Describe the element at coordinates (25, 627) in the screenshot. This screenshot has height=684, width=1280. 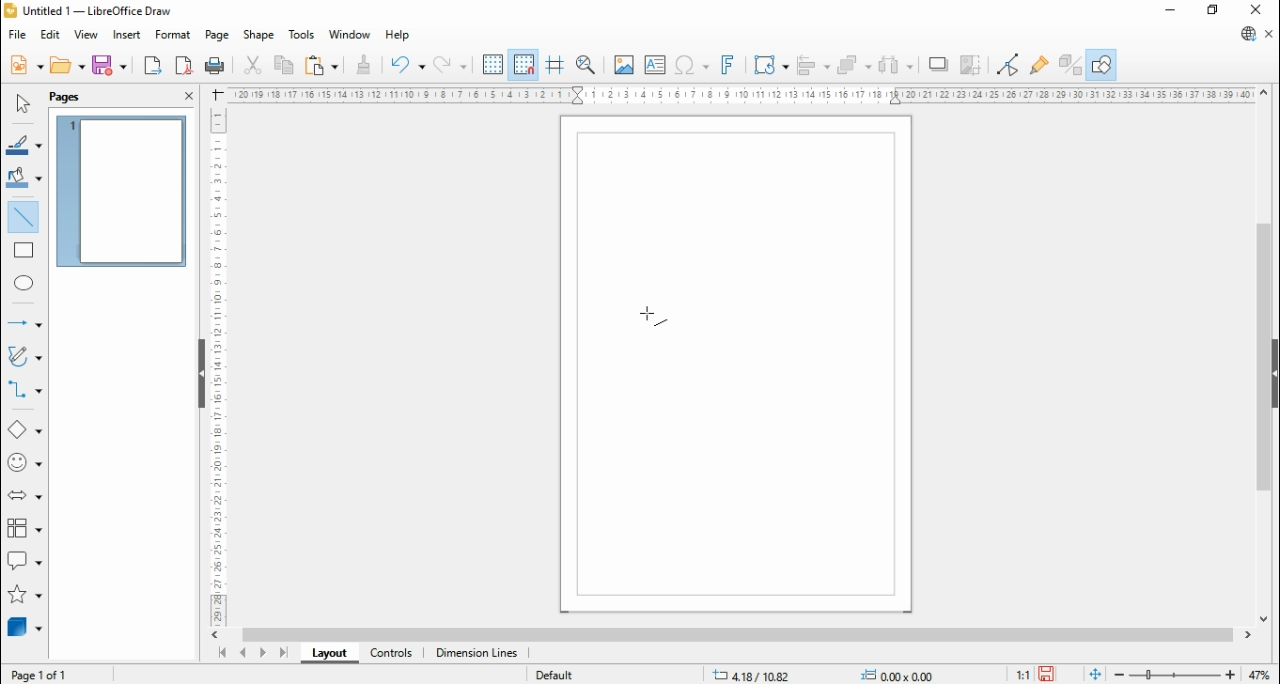
I see `3D objects` at that location.